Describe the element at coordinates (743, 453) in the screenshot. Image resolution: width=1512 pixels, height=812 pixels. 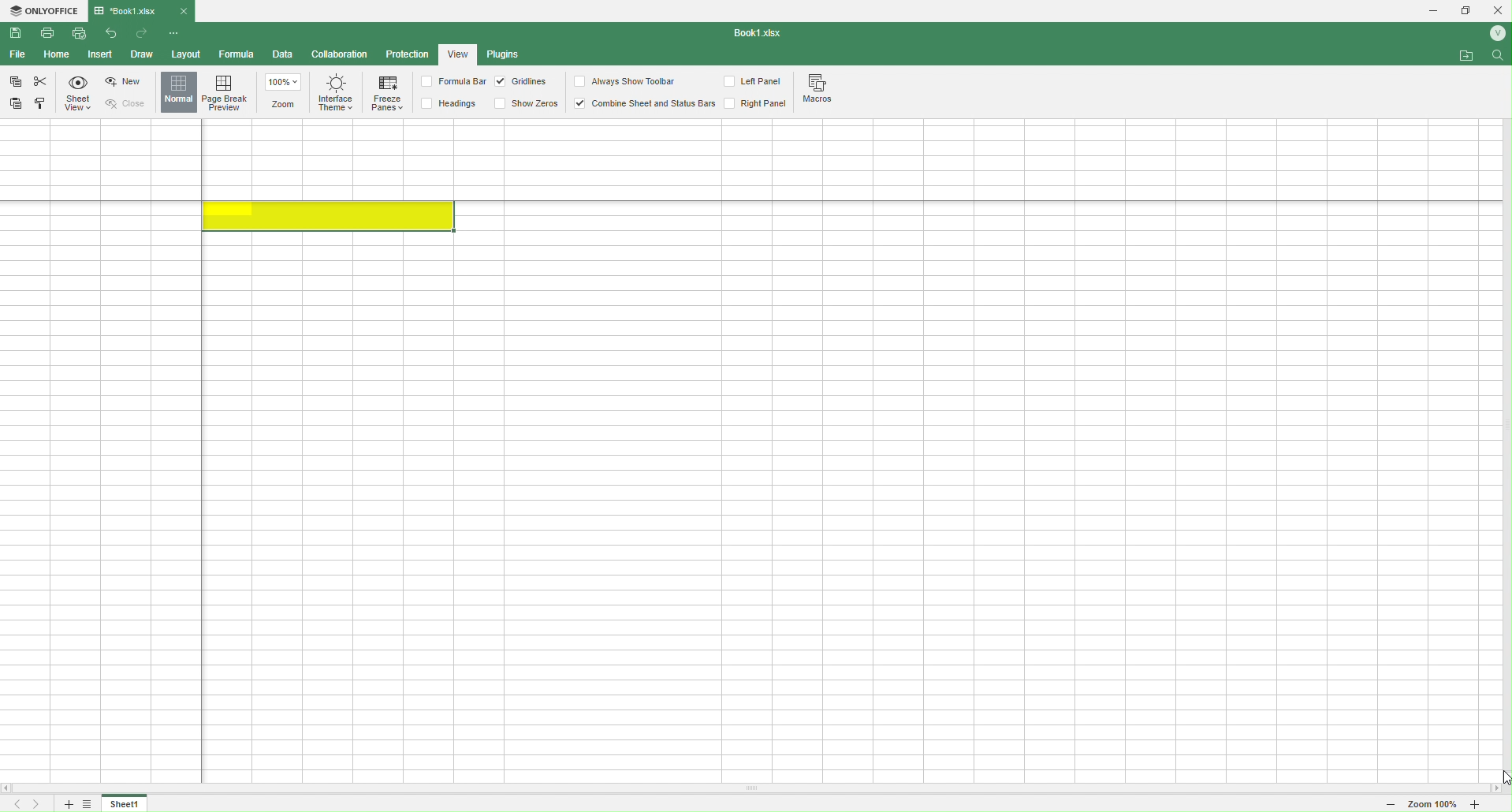
I see `Cells` at that location.